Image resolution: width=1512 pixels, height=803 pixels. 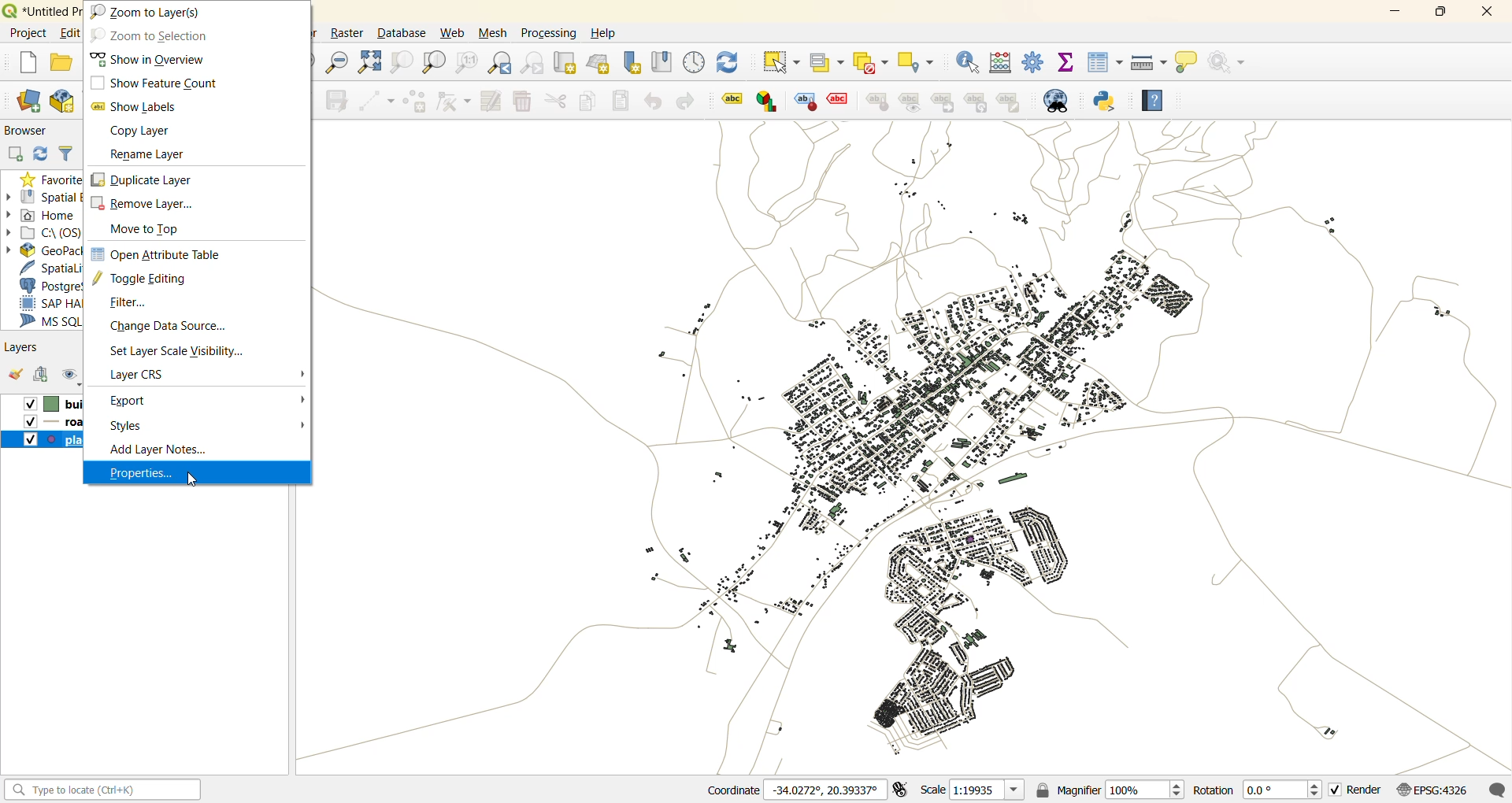 What do you see at coordinates (151, 83) in the screenshot?
I see `show feature count` at bounding box center [151, 83].